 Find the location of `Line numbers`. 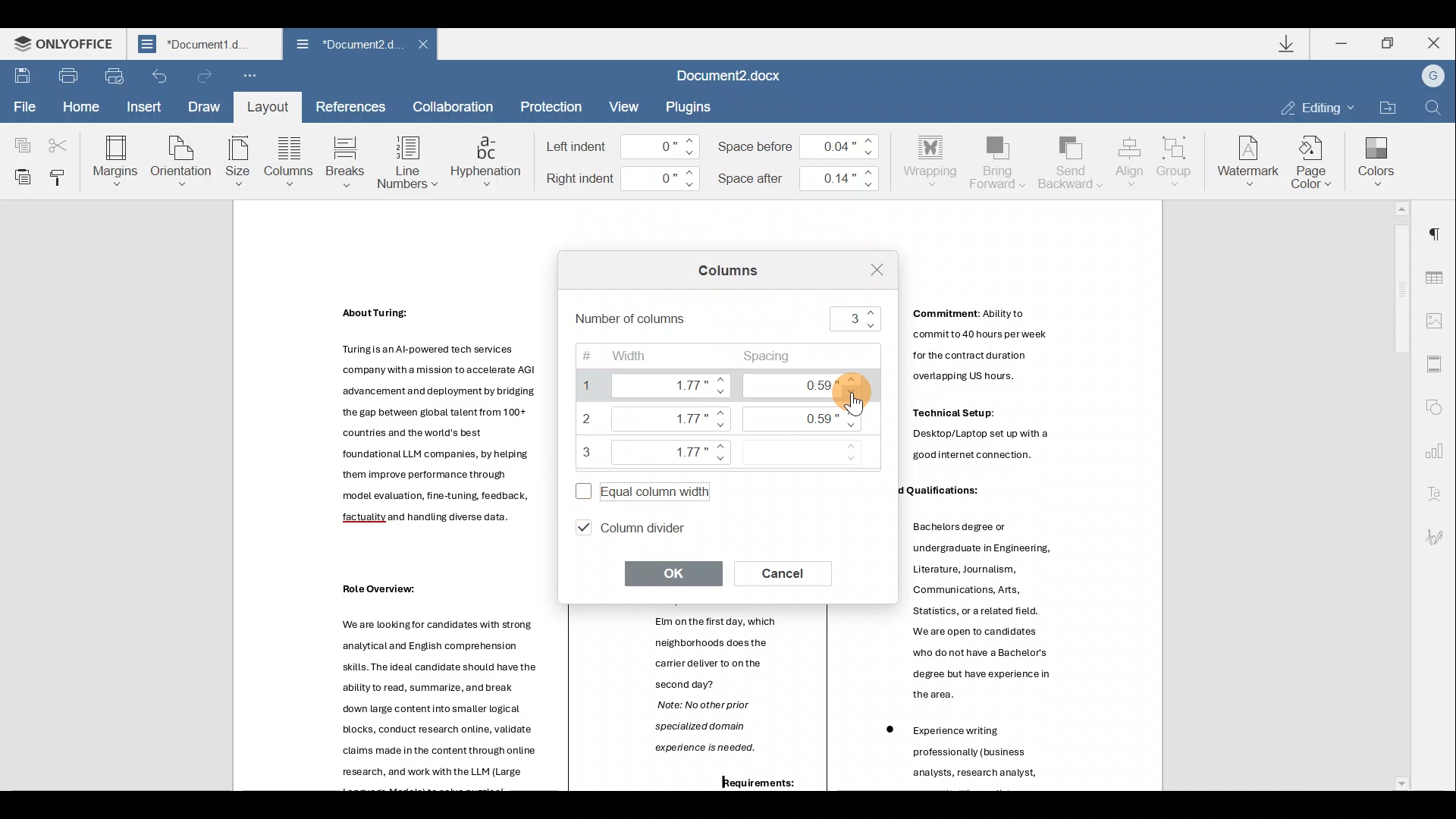

Line numbers is located at coordinates (406, 161).